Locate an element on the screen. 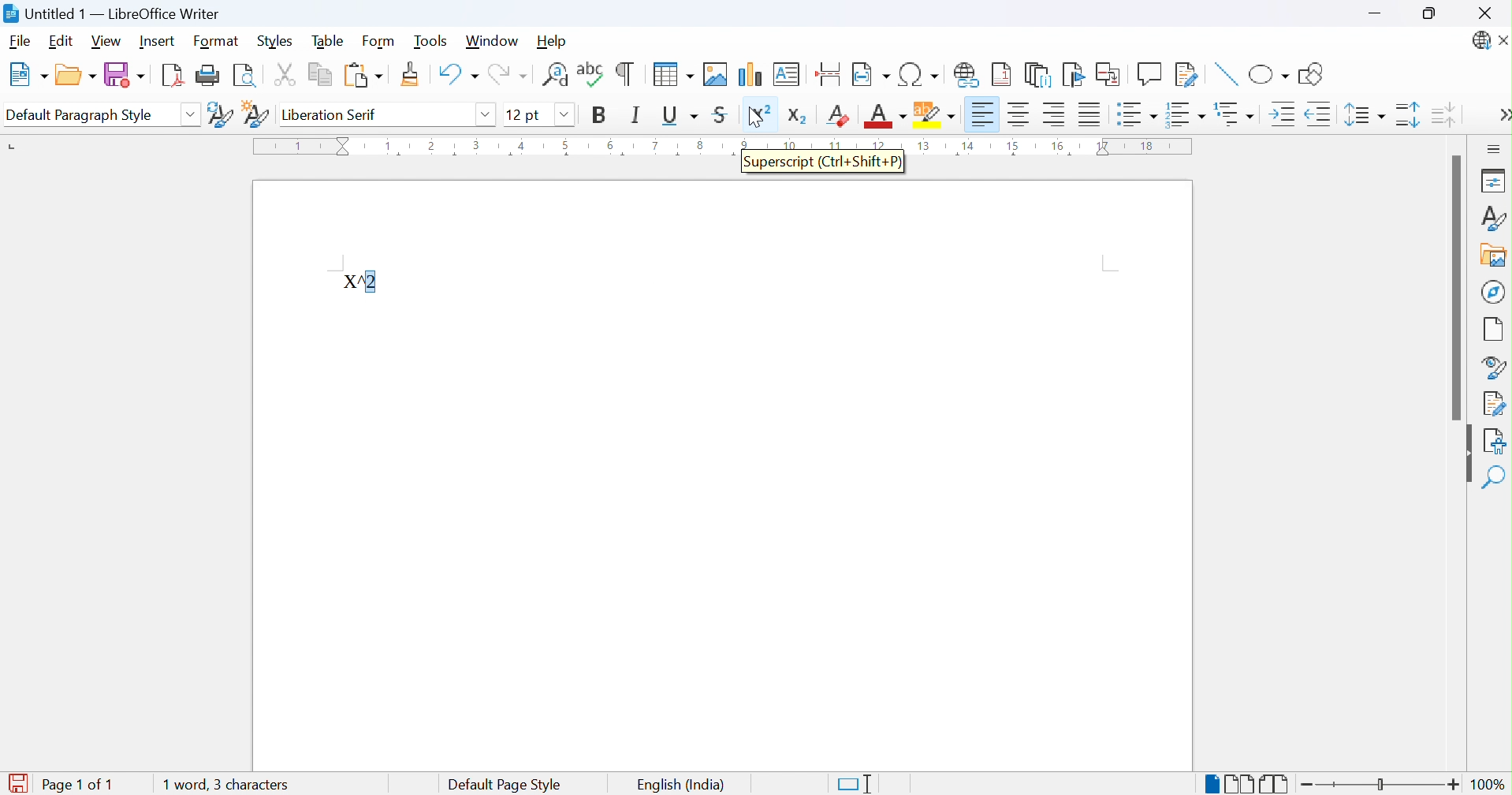 This screenshot has width=1512, height=795. Single-page view is located at coordinates (1215, 786).